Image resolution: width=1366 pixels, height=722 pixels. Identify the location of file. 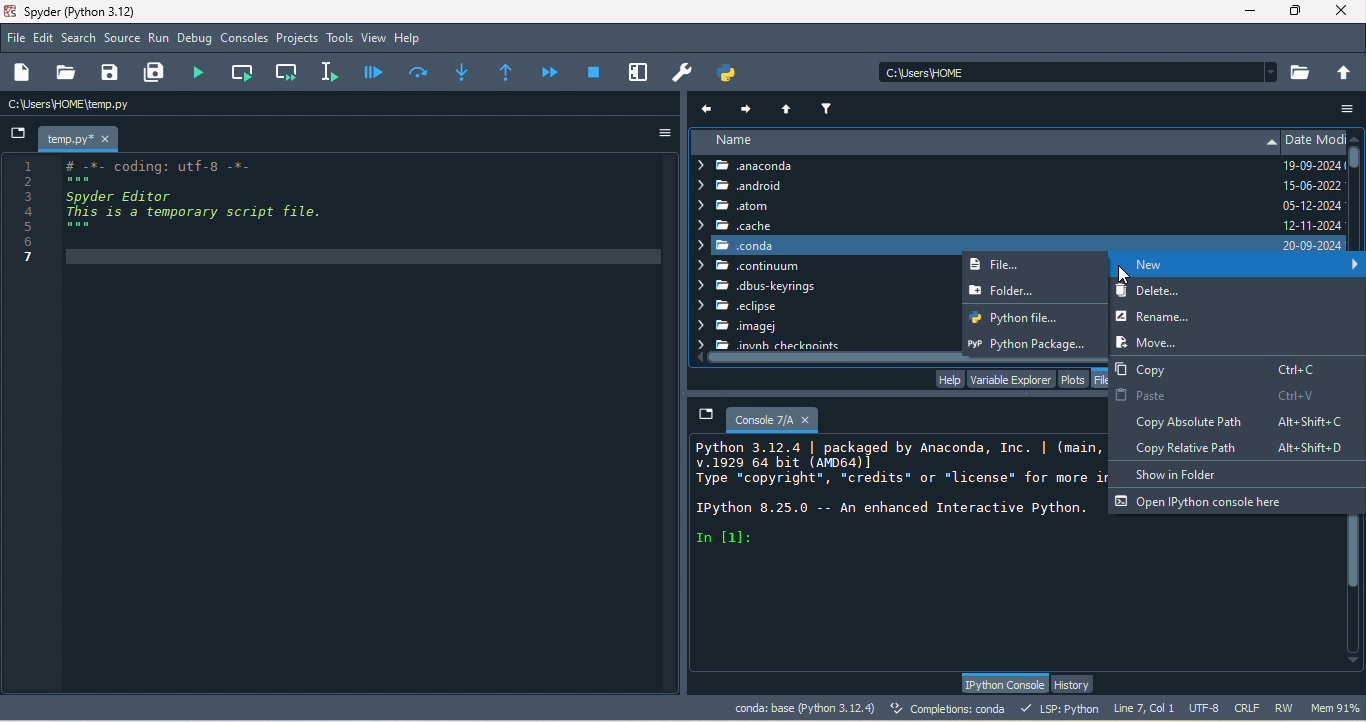
(1014, 265).